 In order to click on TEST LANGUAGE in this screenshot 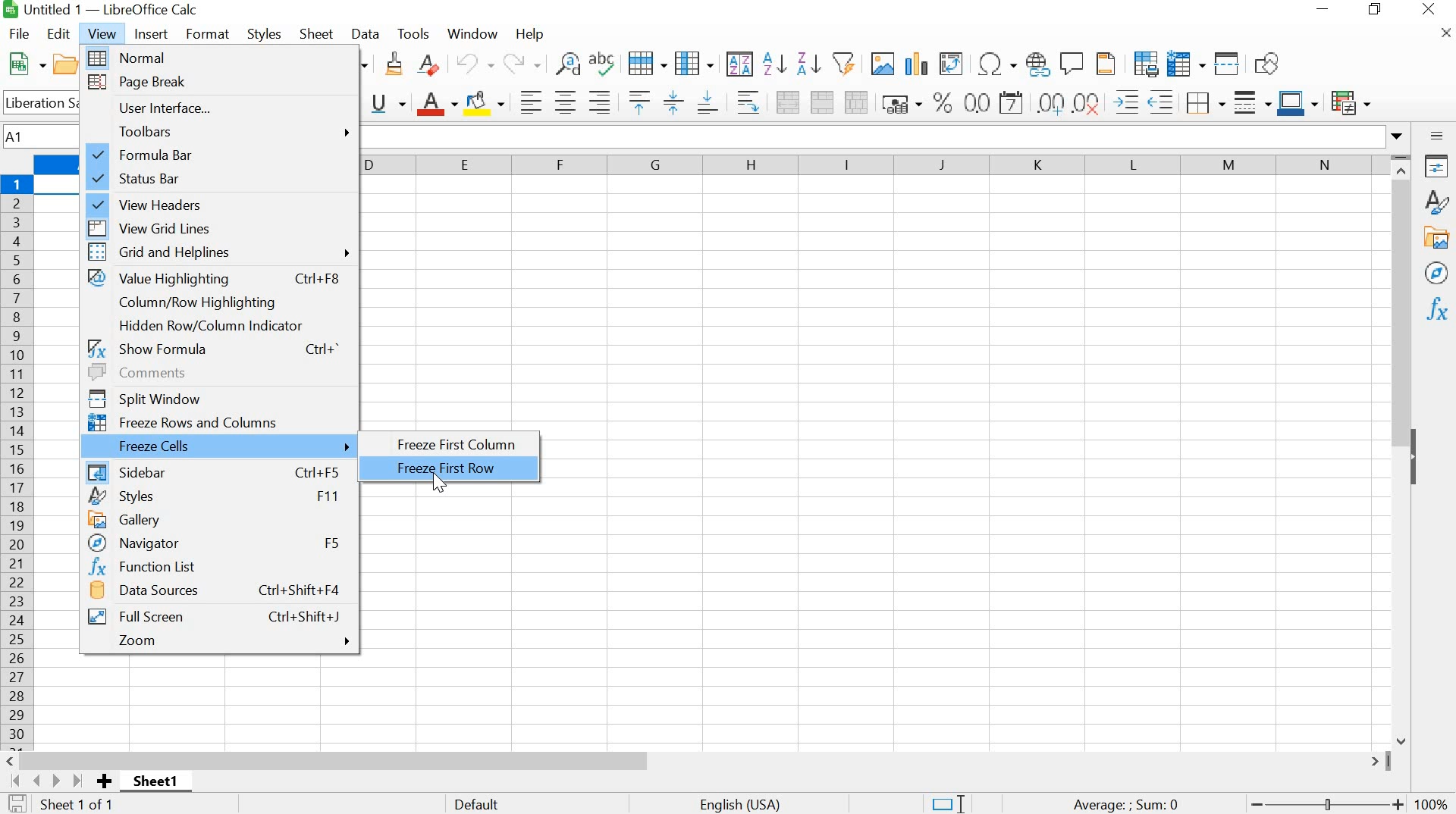, I will do `click(749, 803)`.